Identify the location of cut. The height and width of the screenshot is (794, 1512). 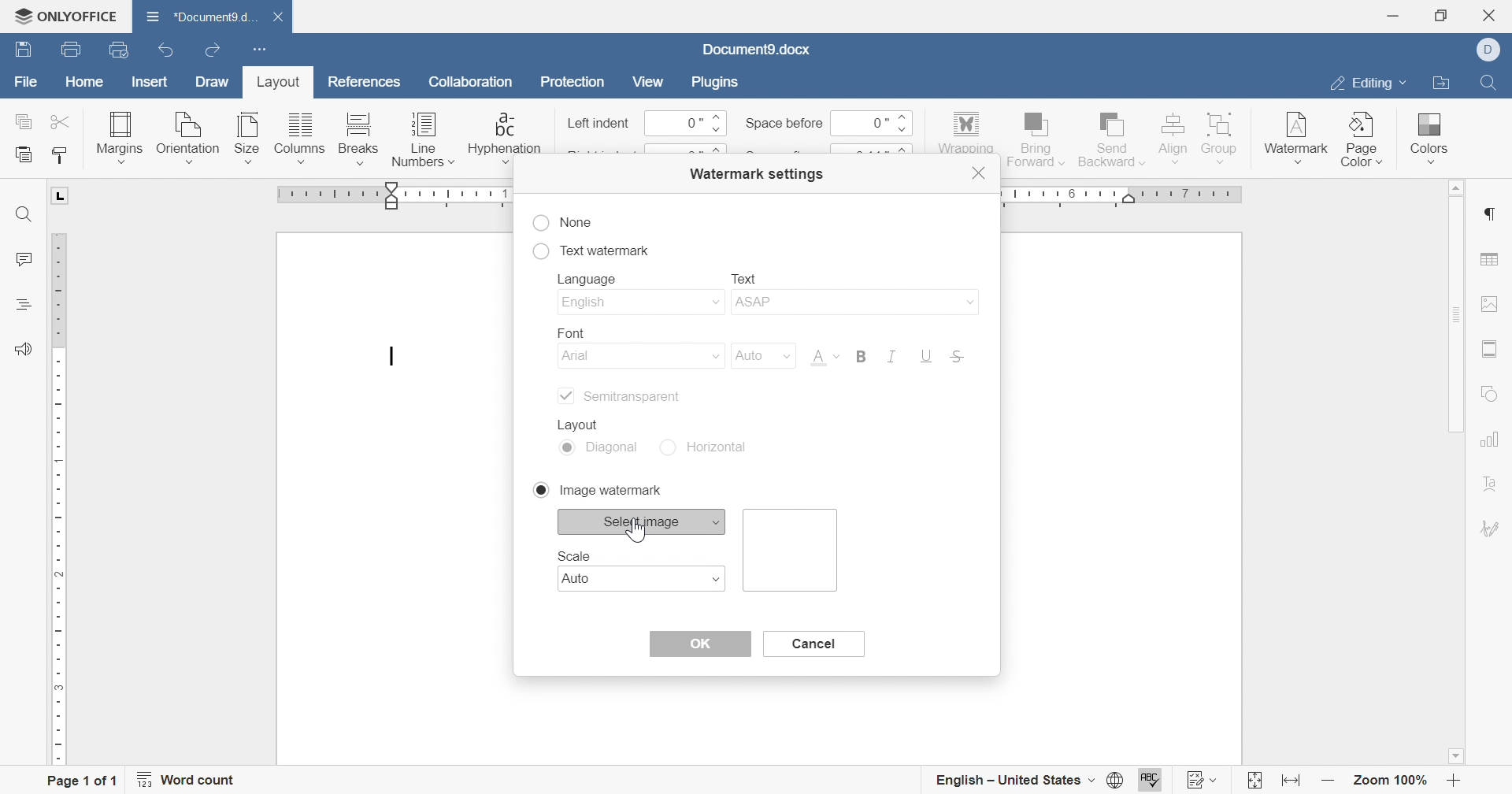
(62, 121).